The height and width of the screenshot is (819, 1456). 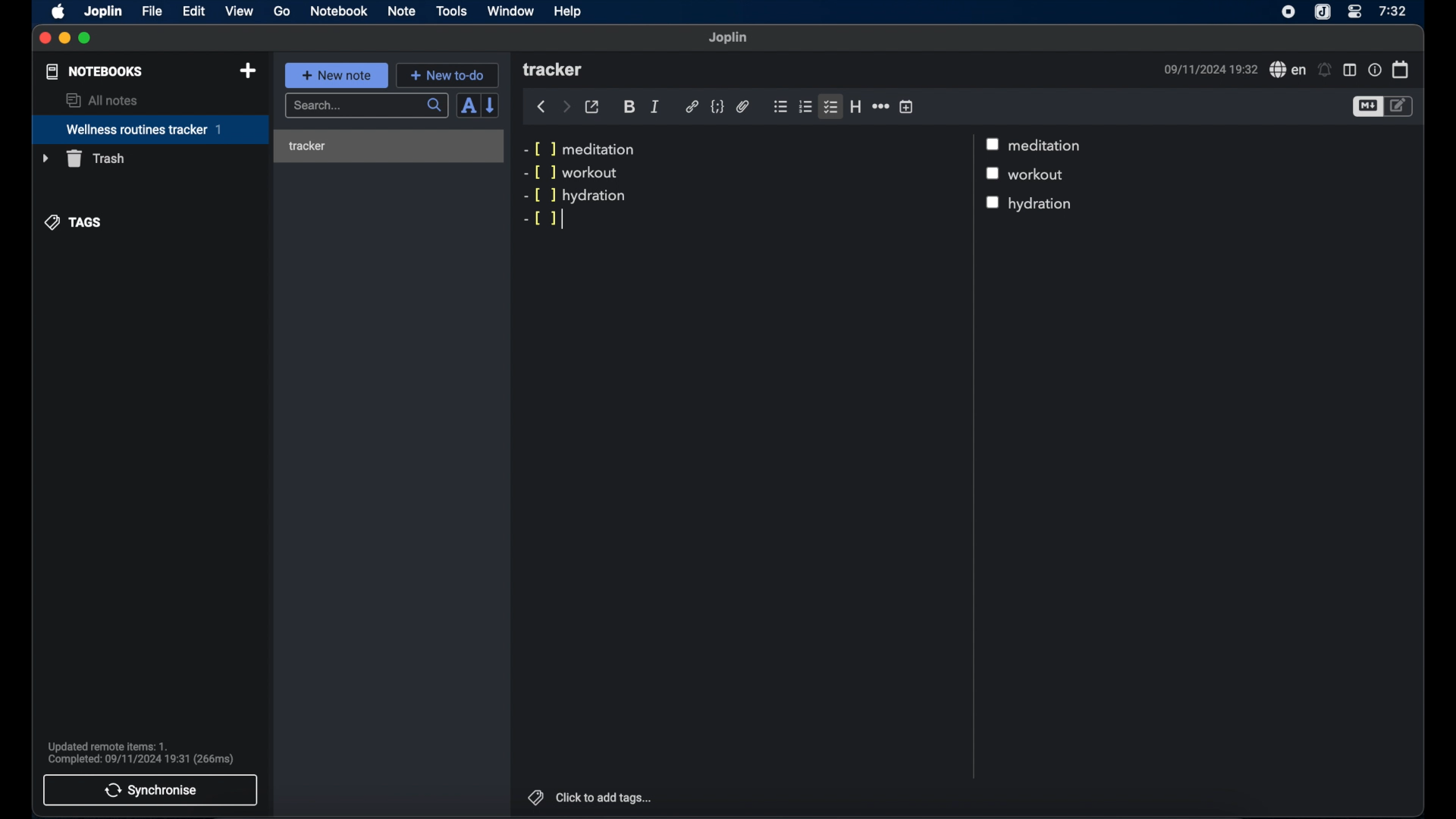 What do you see at coordinates (566, 106) in the screenshot?
I see `forward` at bounding box center [566, 106].